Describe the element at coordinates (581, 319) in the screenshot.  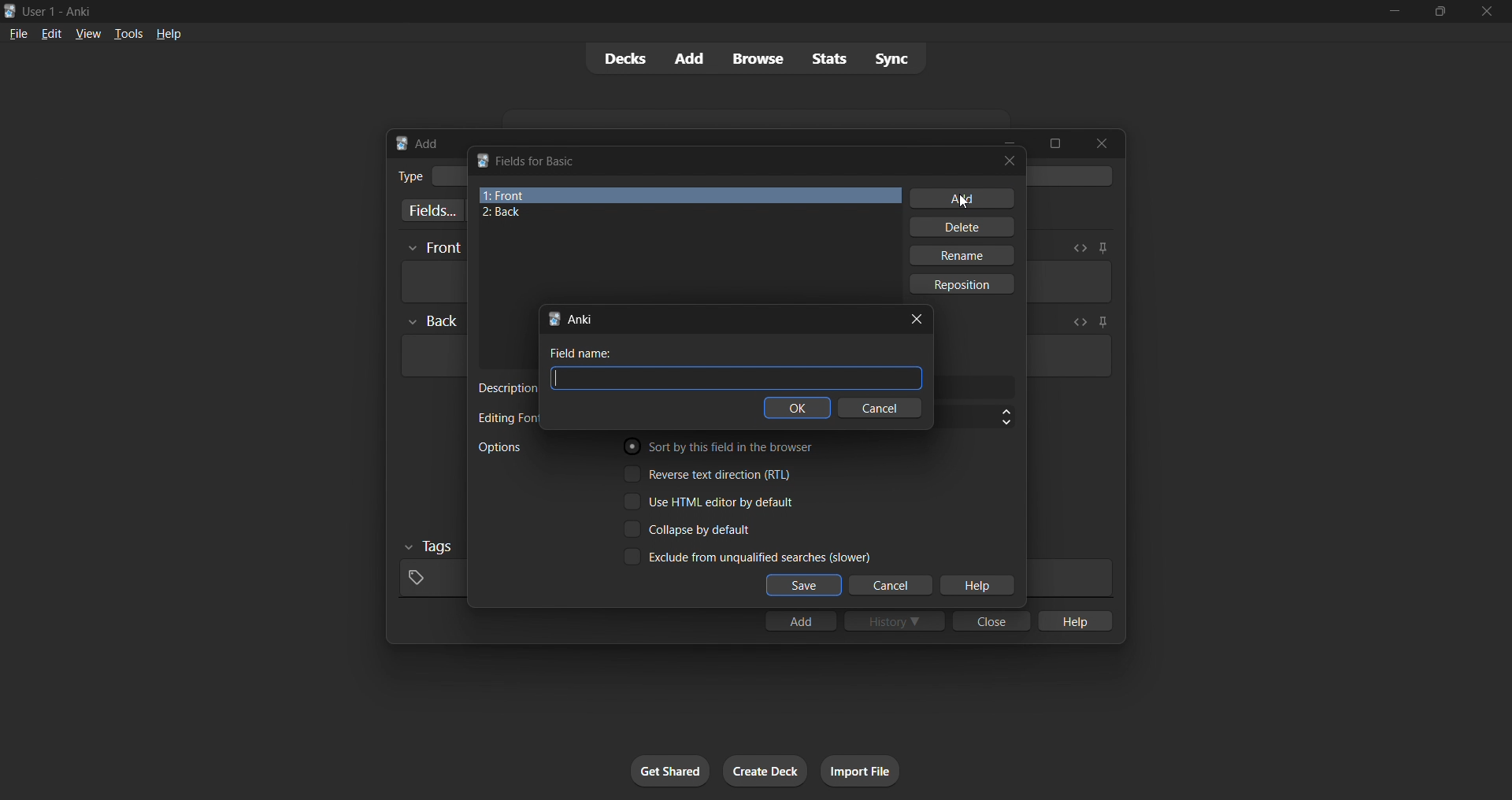
I see `add field title bar` at that location.